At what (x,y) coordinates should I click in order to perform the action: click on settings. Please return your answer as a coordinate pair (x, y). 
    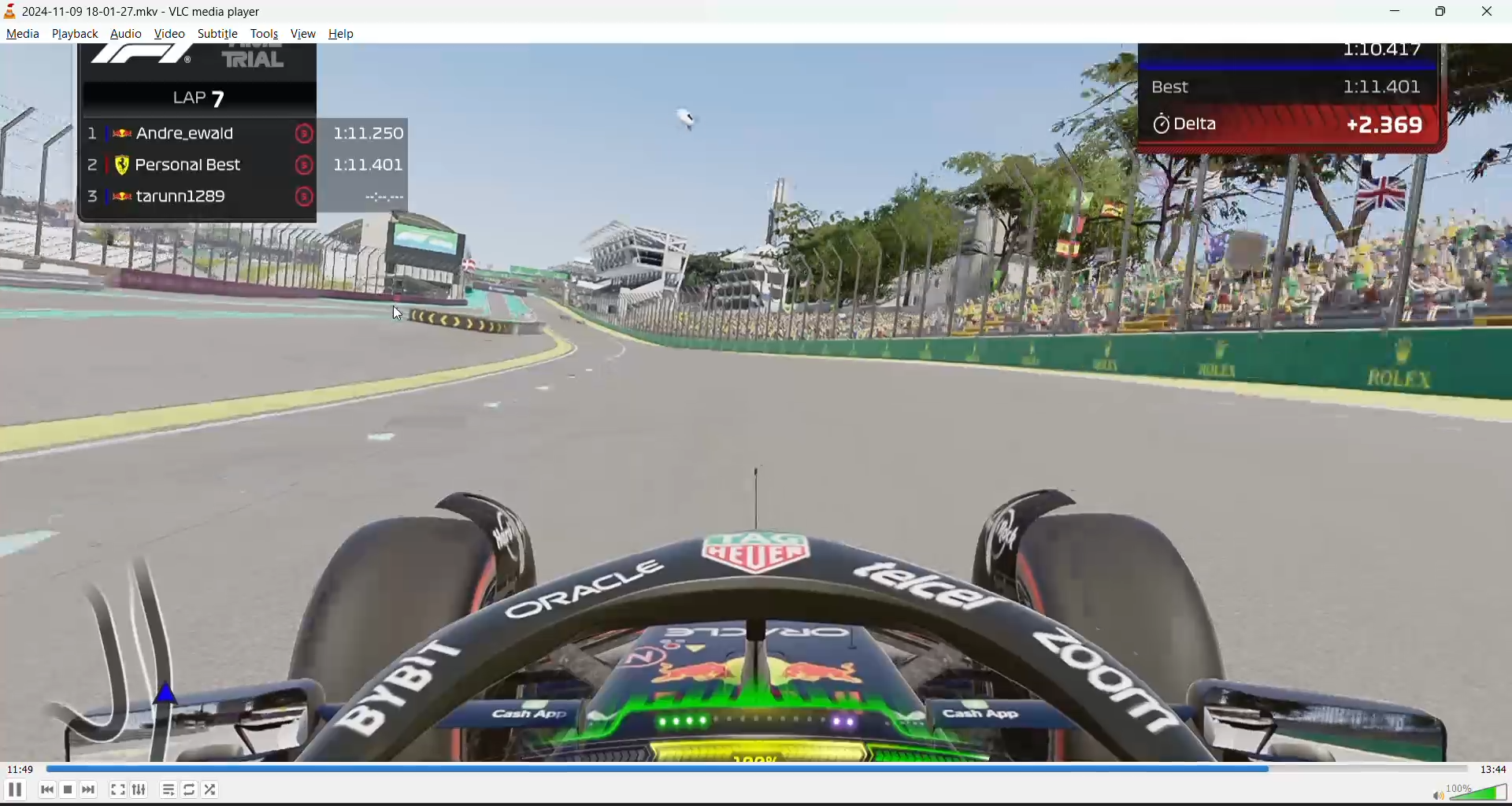
    Looking at the image, I should click on (141, 790).